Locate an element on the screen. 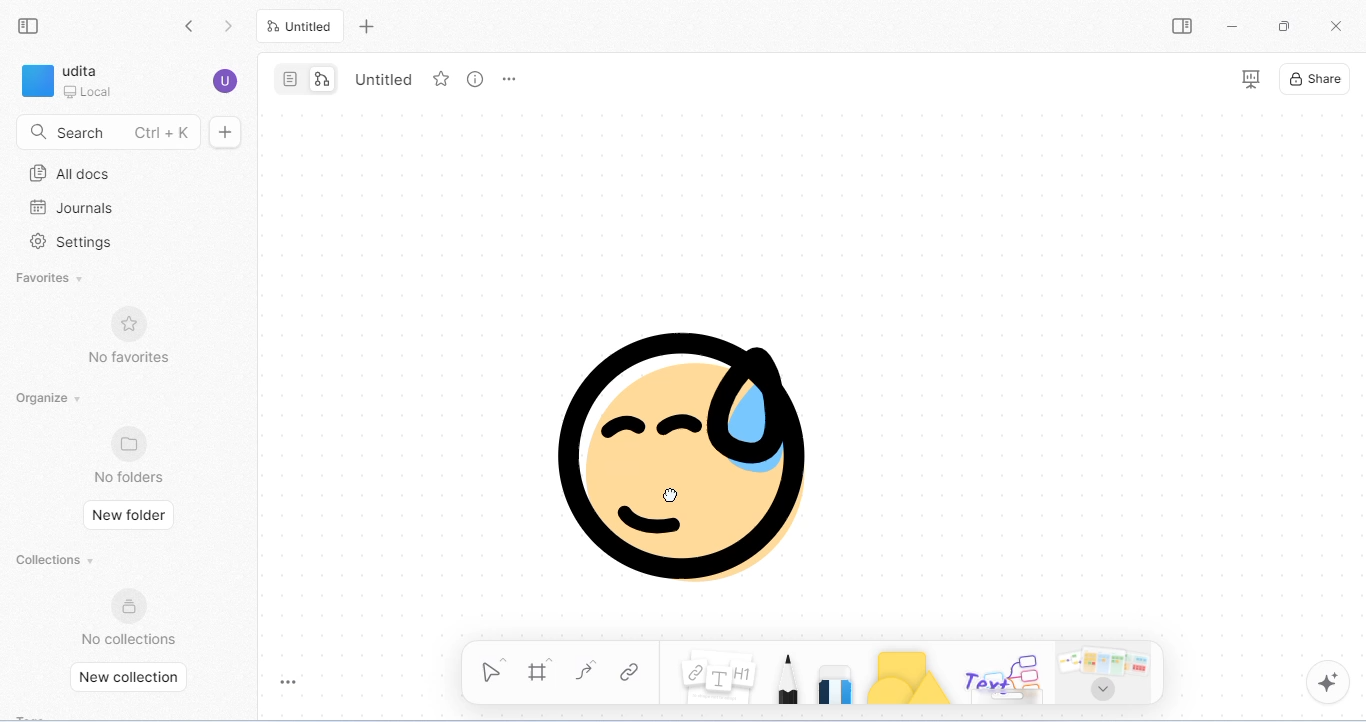 The height and width of the screenshot is (722, 1366). new doc is located at coordinates (225, 131).